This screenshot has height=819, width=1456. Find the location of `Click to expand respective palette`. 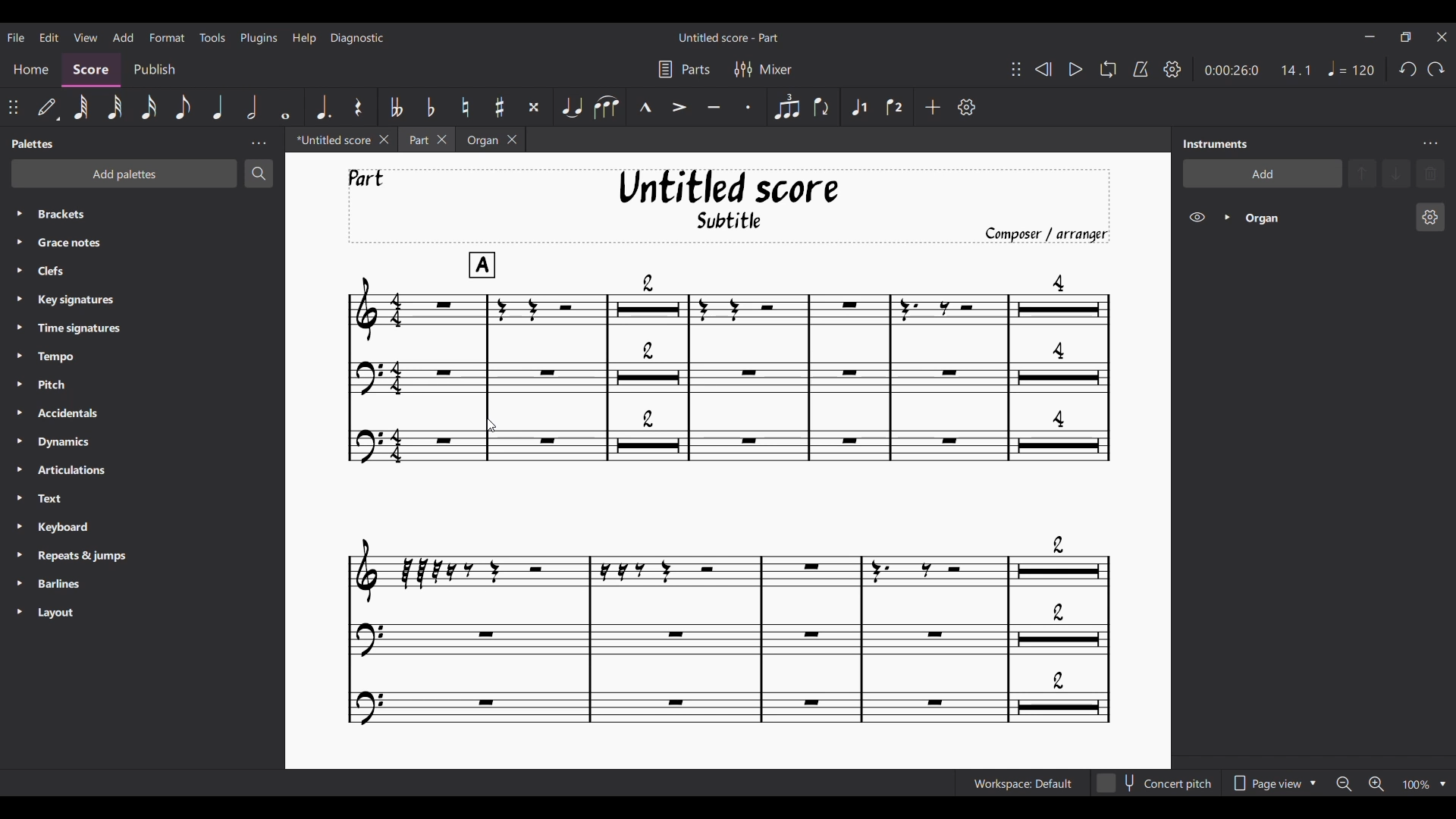

Click to expand respective palette is located at coordinates (20, 413).